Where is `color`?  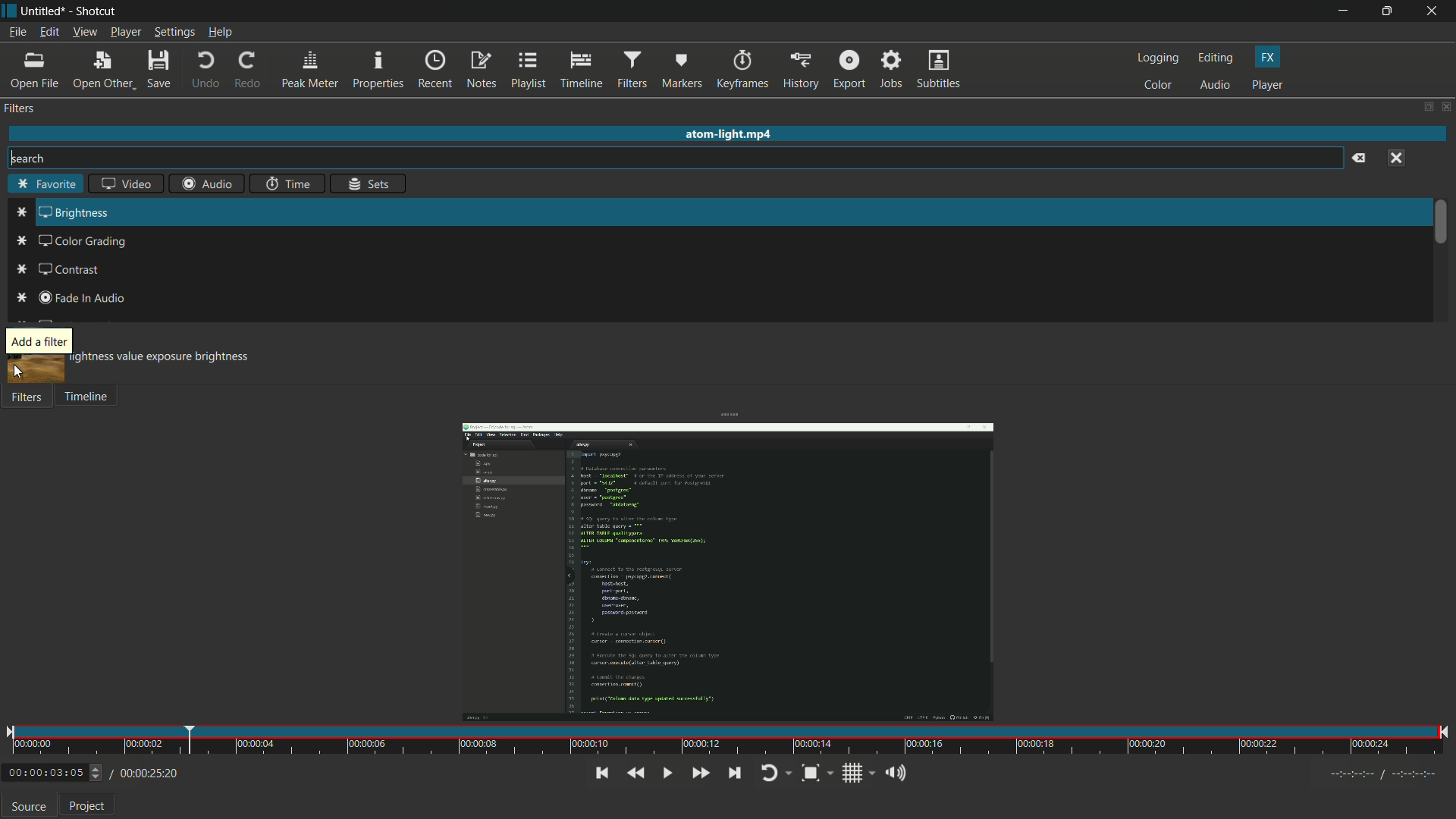
color is located at coordinates (1157, 85).